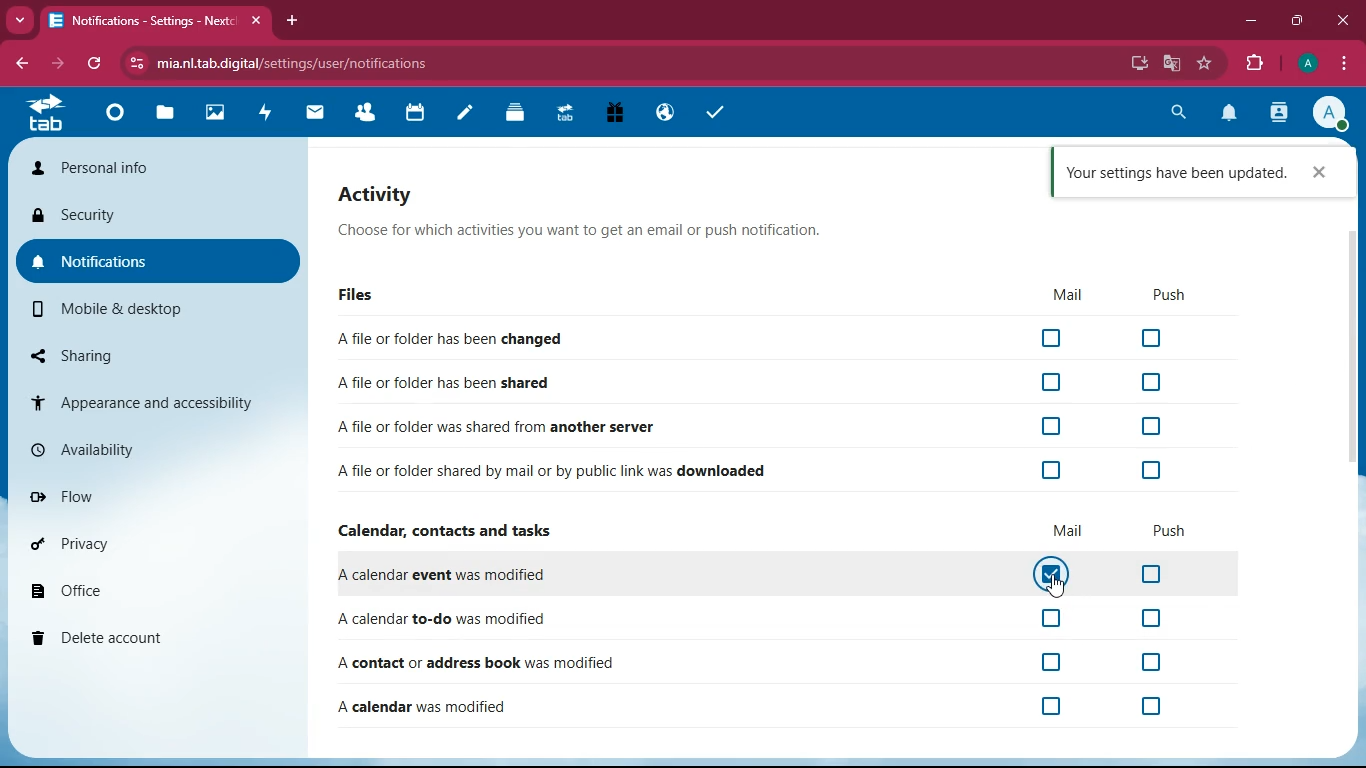 The image size is (1366, 768). Describe the element at coordinates (1295, 22) in the screenshot. I see `maximize` at that location.